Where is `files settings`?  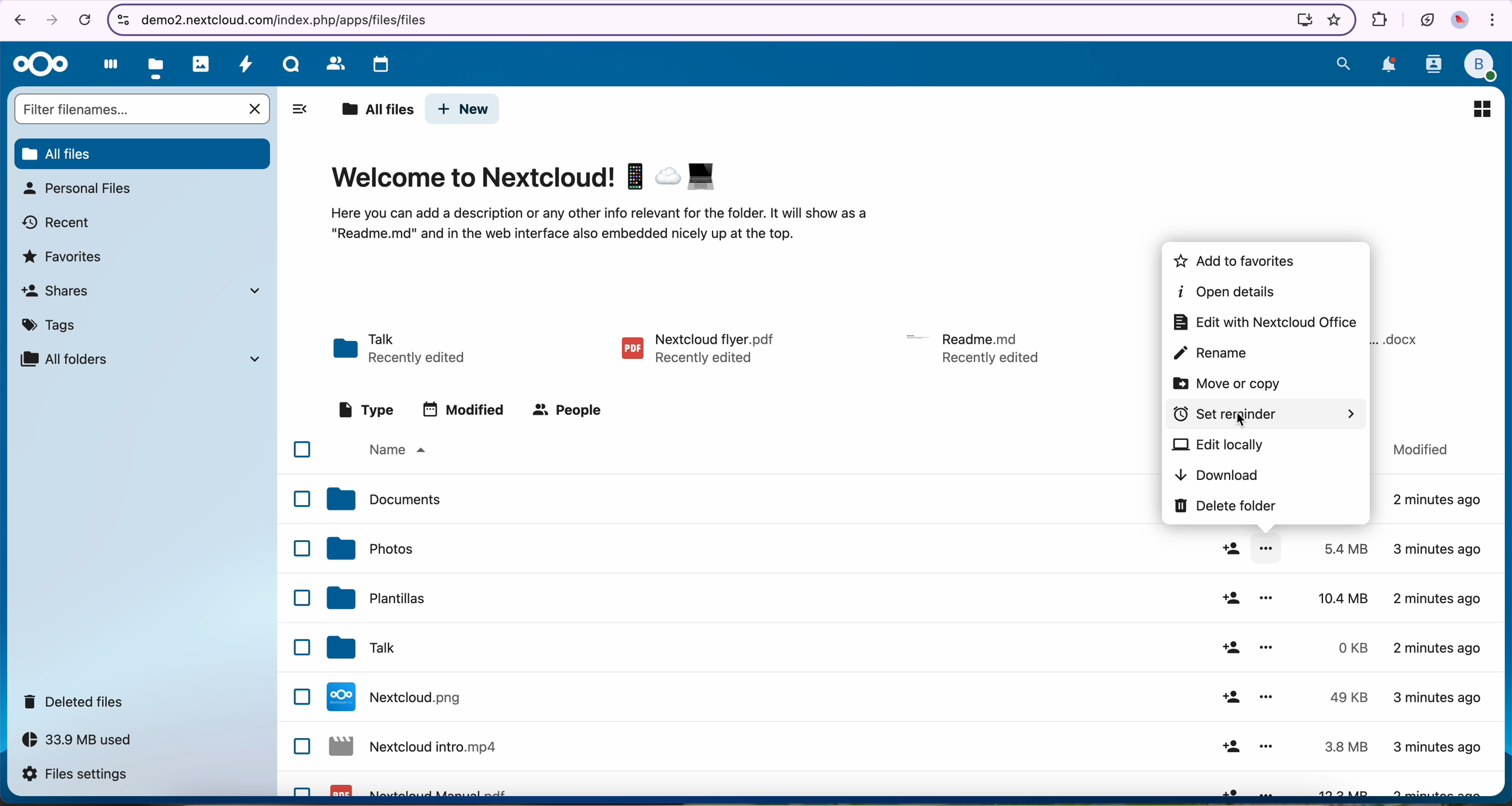
files settings is located at coordinates (75, 775).